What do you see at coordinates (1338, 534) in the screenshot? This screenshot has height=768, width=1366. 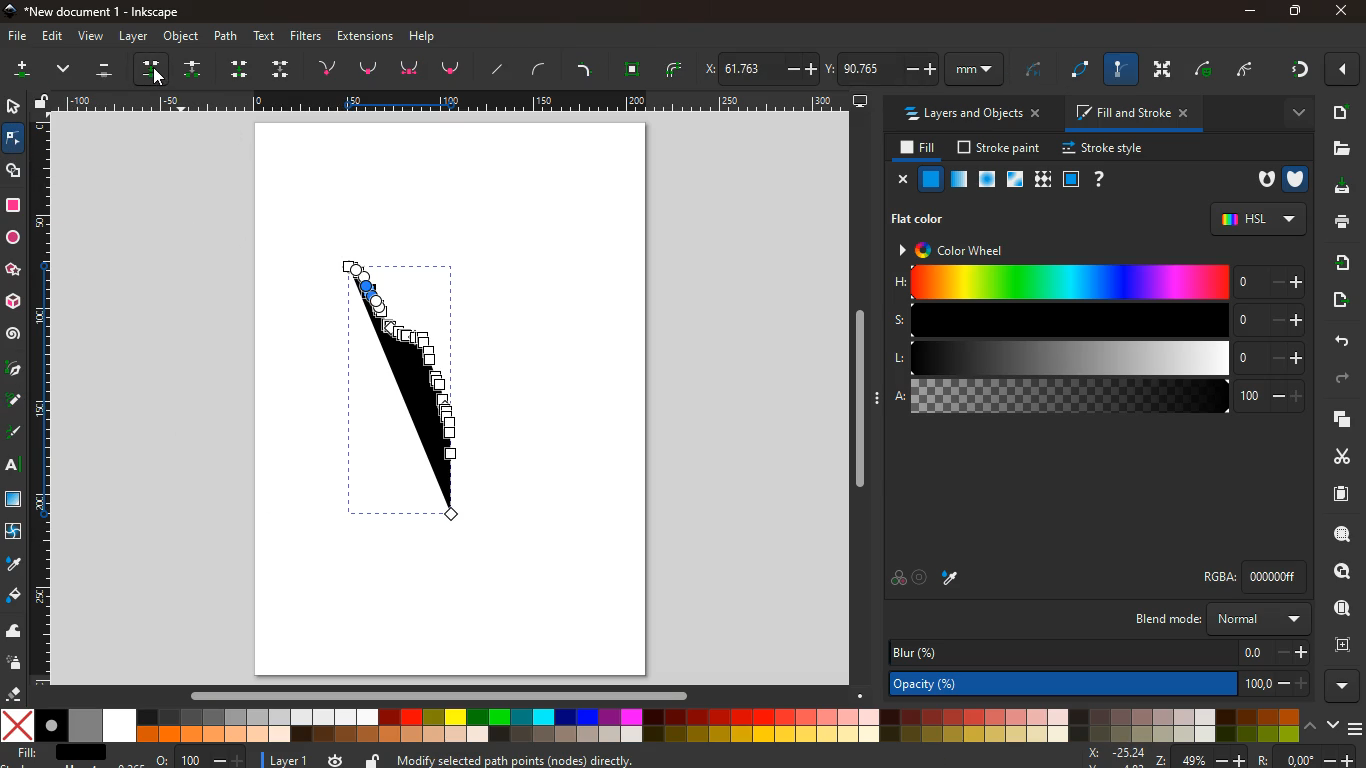 I see `search` at bounding box center [1338, 534].